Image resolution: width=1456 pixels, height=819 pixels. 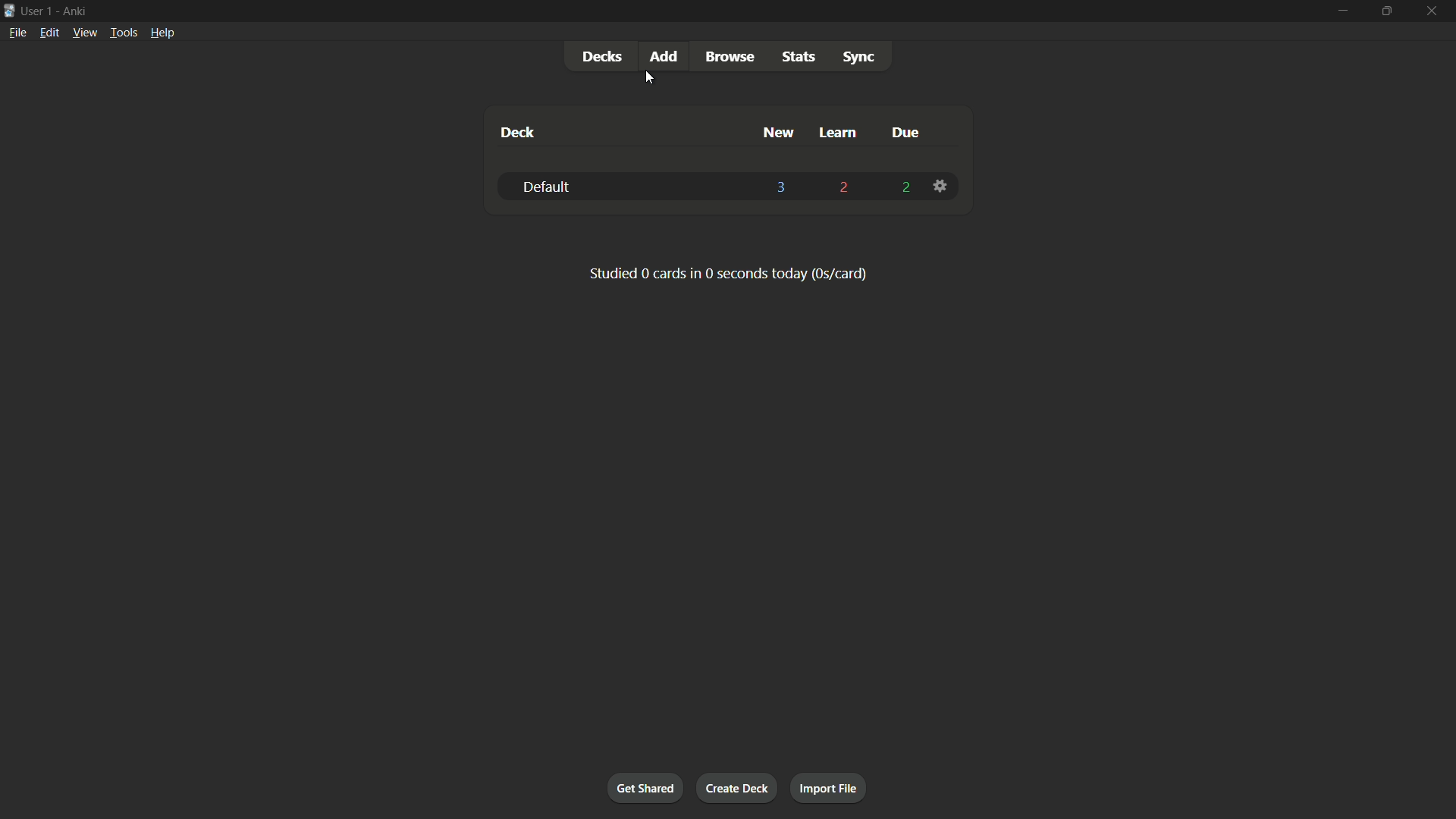 I want to click on app name, so click(x=74, y=9).